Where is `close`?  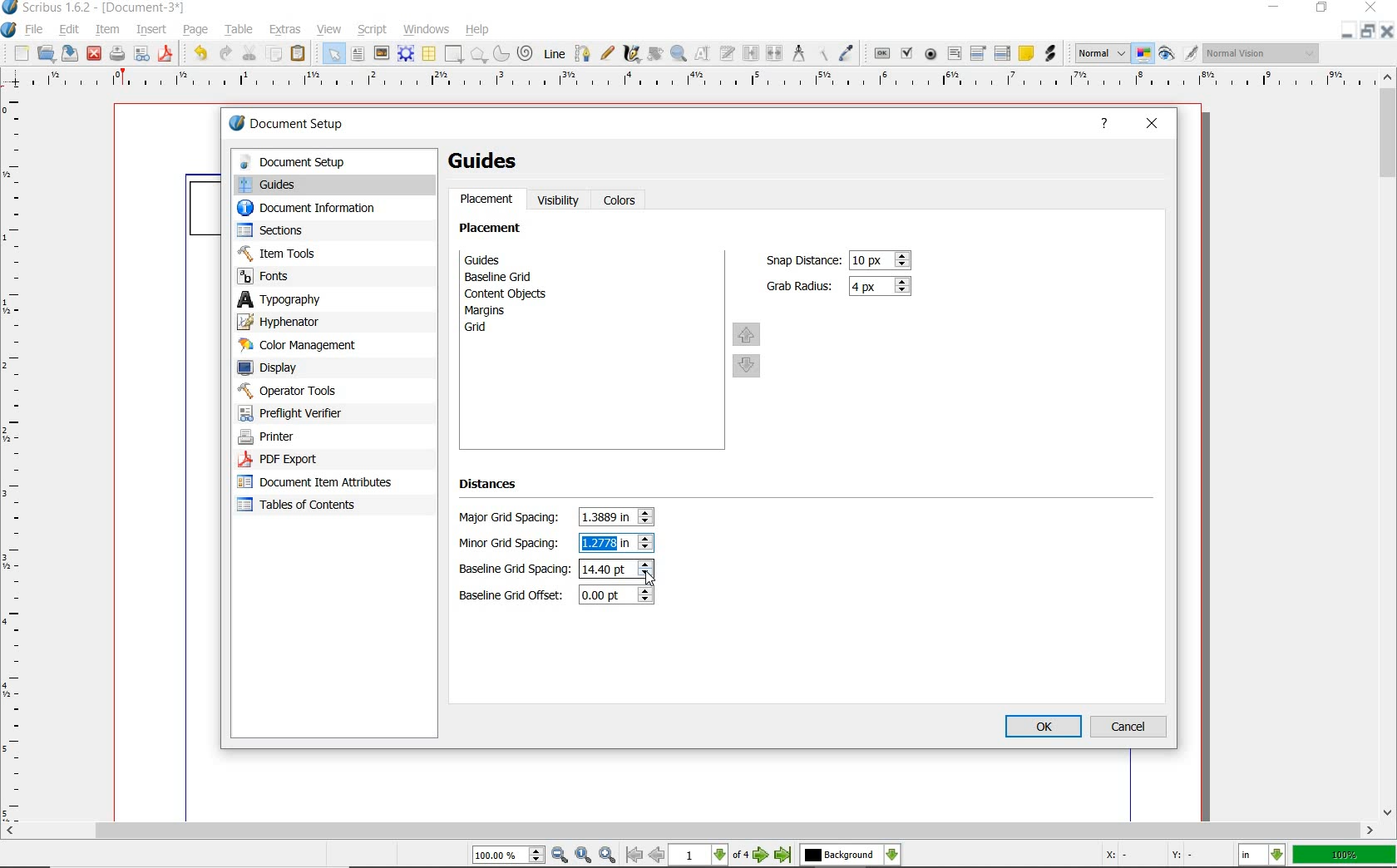 close is located at coordinates (1371, 7).